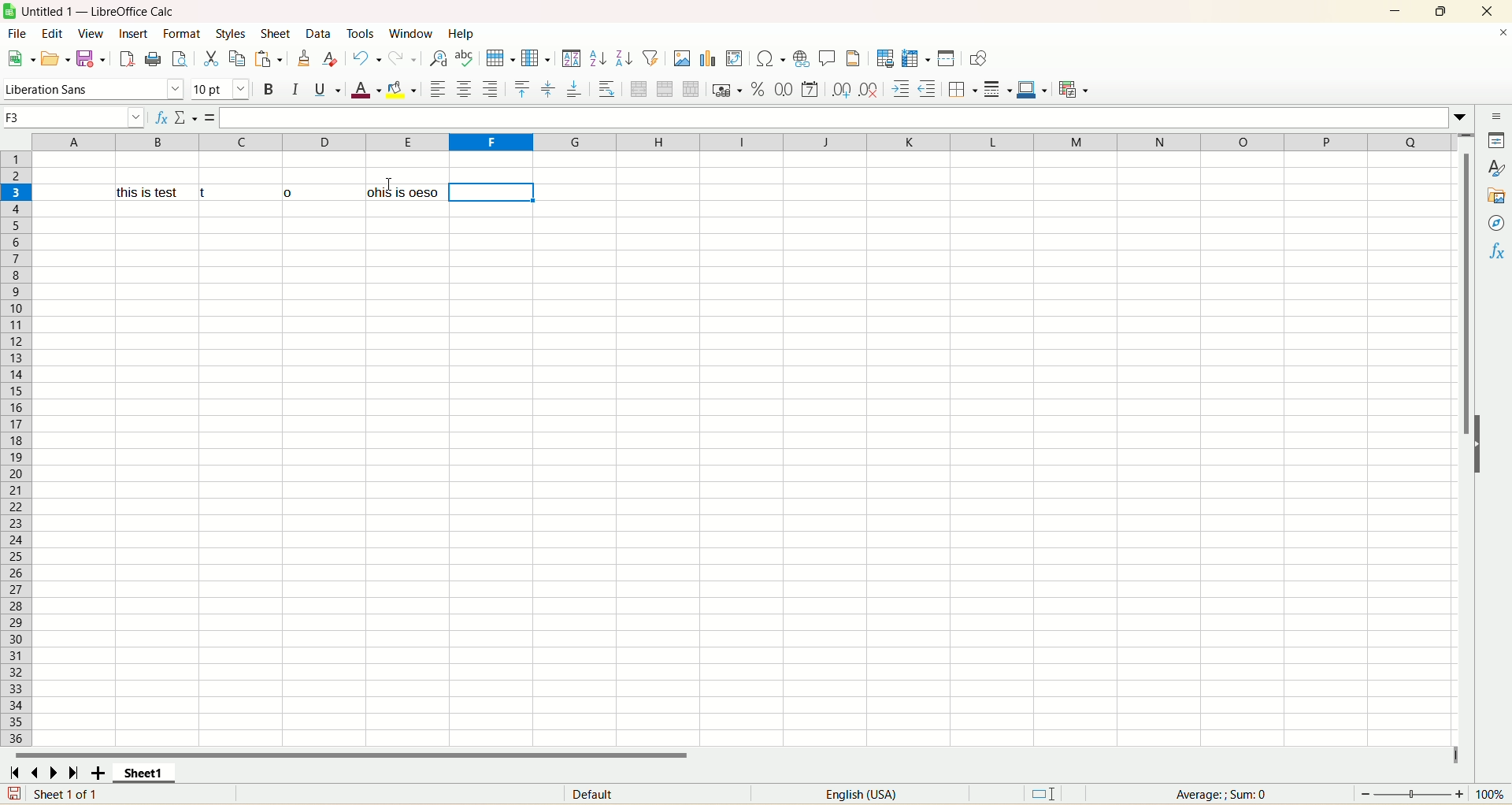 The image size is (1512, 805). I want to click on background color, so click(404, 90).